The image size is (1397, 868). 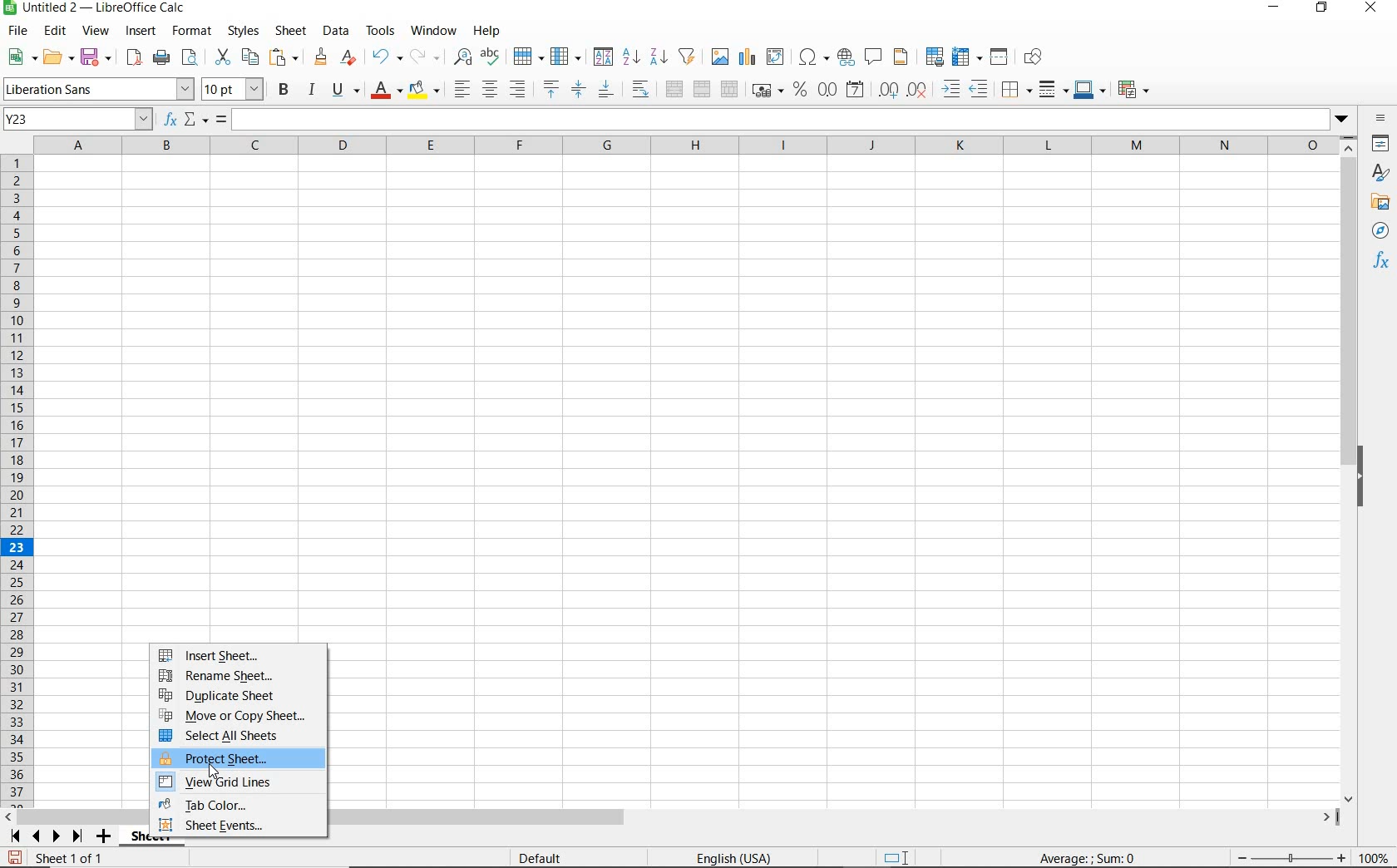 I want to click on COPY, so click(x=250, y=57).